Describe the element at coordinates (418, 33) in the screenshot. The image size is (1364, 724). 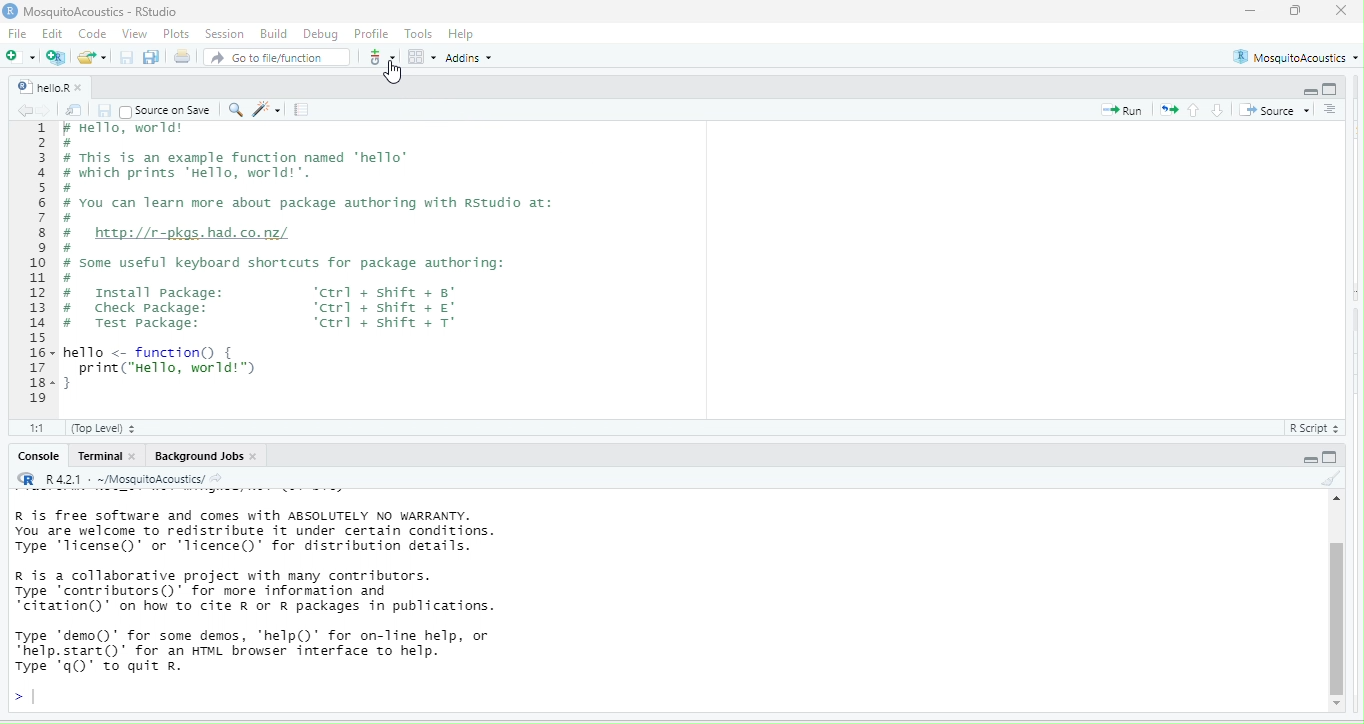
I see `Tools` at that location.